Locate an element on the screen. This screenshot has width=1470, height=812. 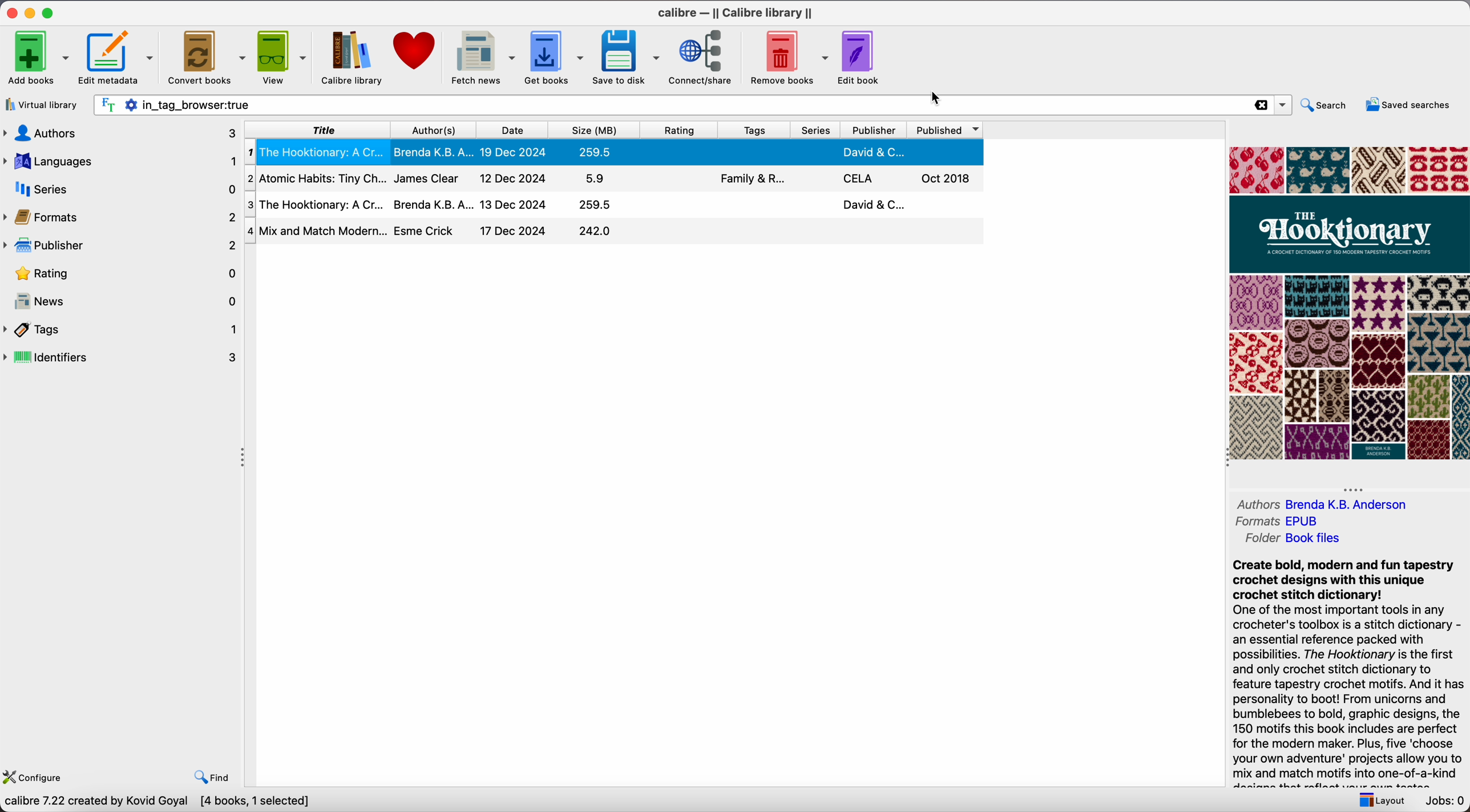
Mix and Match Modern is located at coordinates (323, 231).